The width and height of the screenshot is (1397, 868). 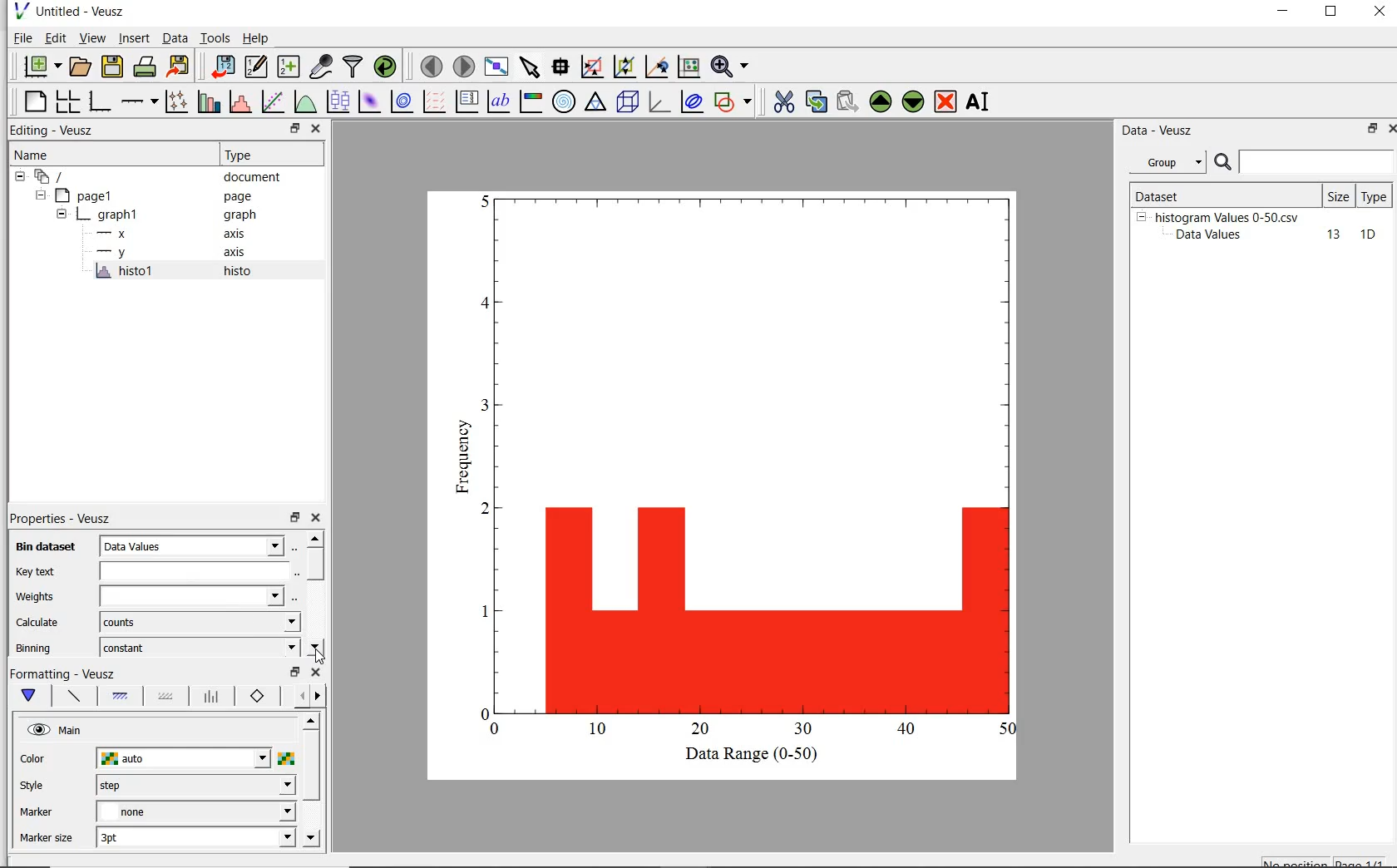 I want to click on Bin dataset, so click(x=42, y=547).